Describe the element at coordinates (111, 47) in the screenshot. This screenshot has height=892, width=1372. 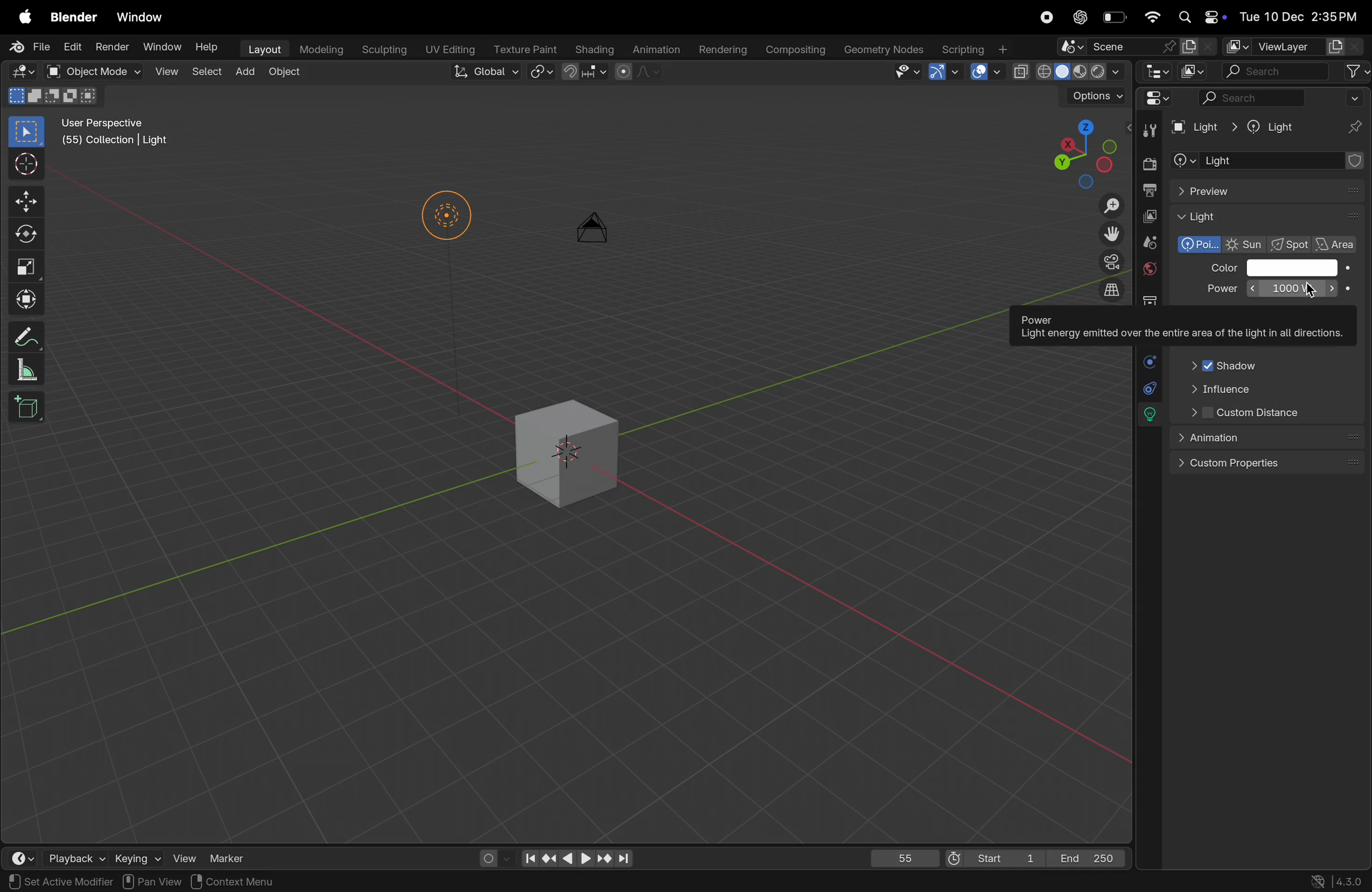
I see `Render` at that location.